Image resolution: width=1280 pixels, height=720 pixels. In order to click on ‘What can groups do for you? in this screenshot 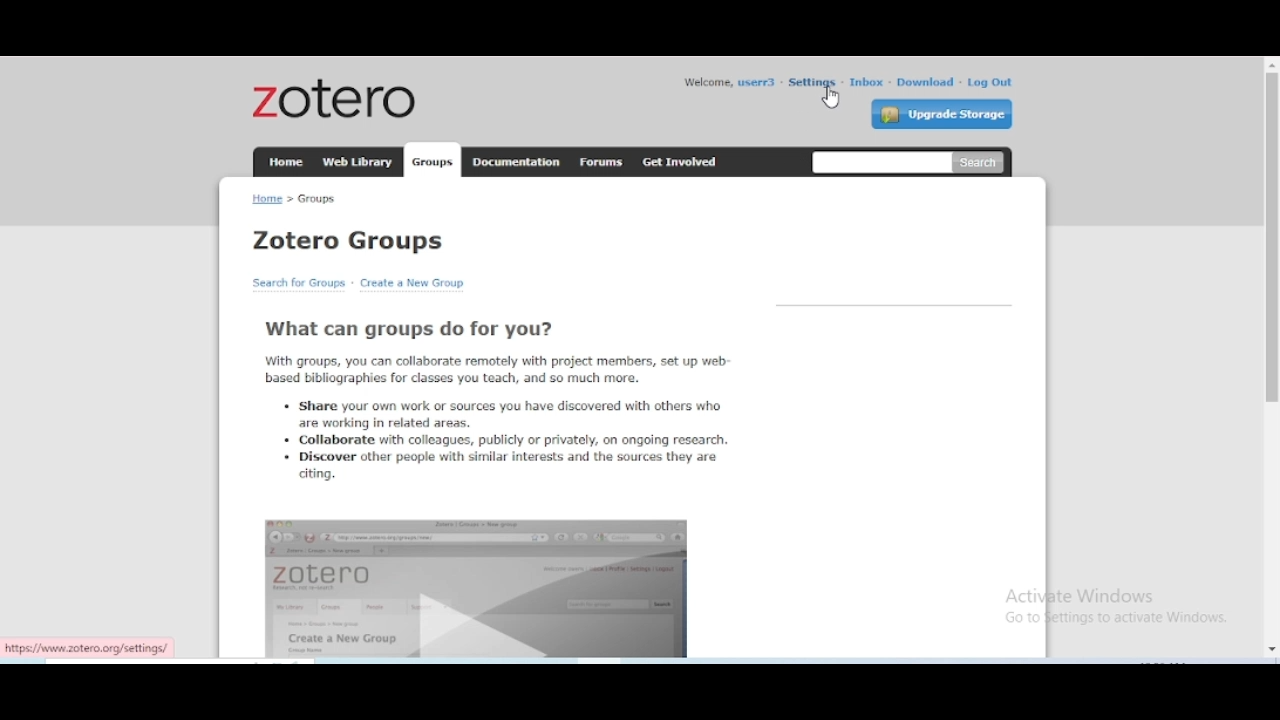, I will do `click(411, 330)`.